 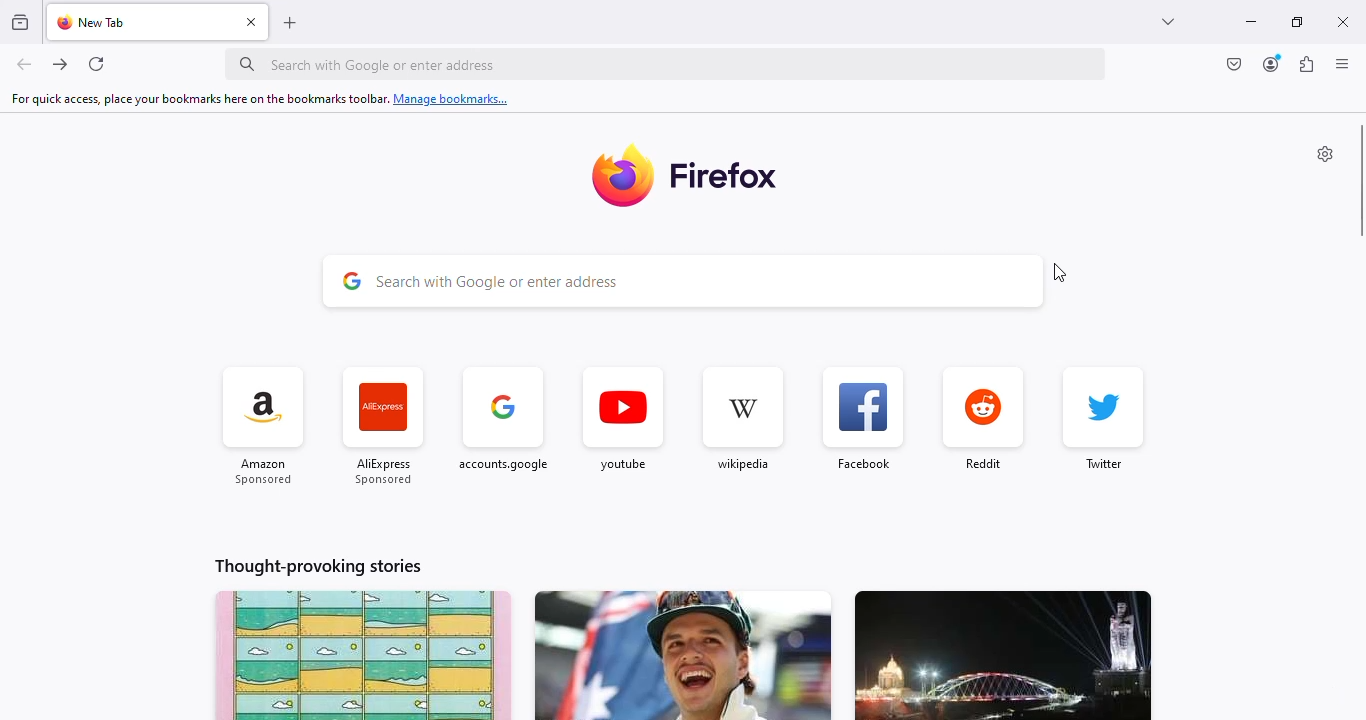 What do you see at coordinates (363, 655) in the screenshot?
I see `story` at bounding box center [363, 655].